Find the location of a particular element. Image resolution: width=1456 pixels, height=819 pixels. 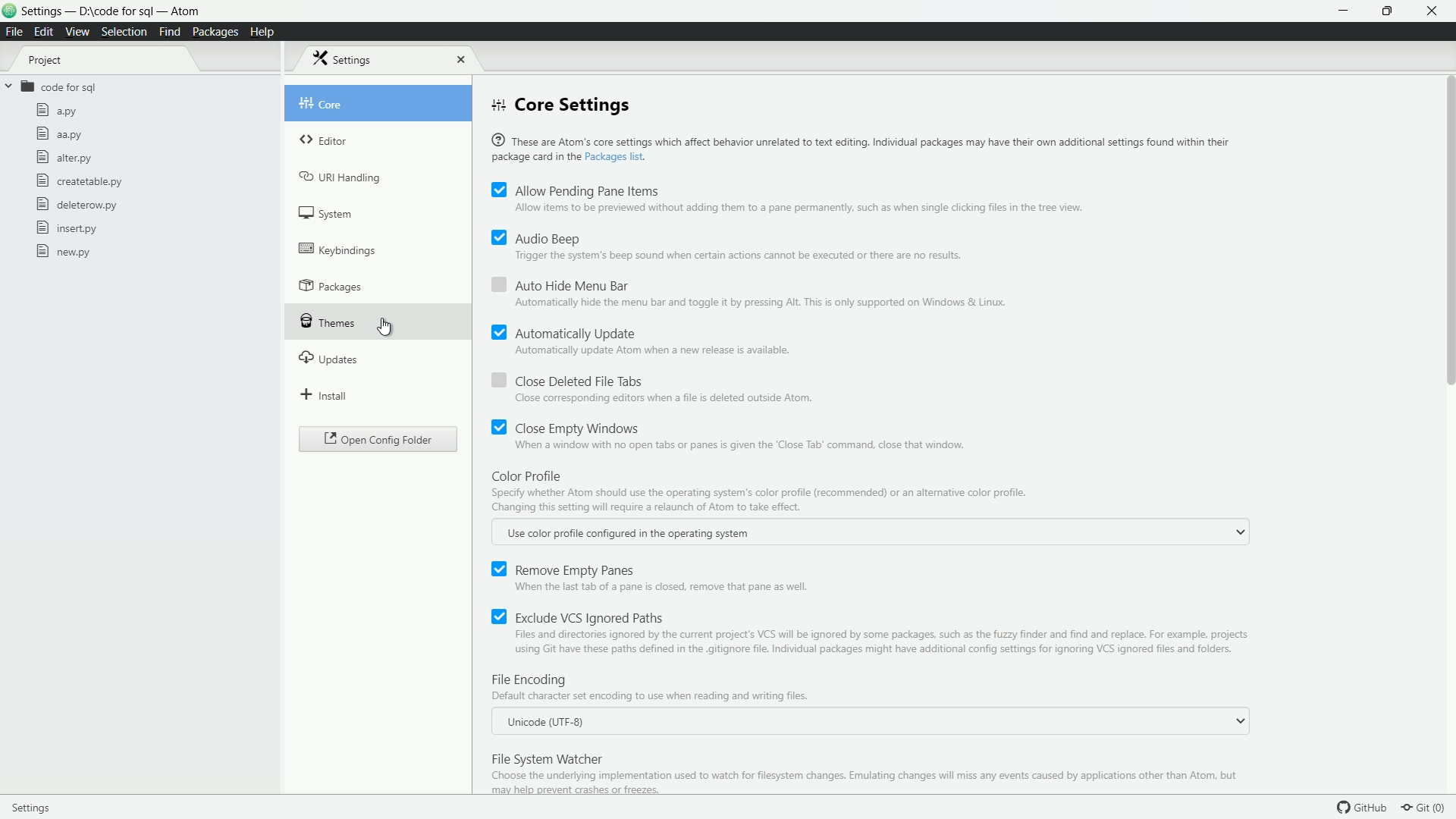

system is located at coordinates (327, 213).